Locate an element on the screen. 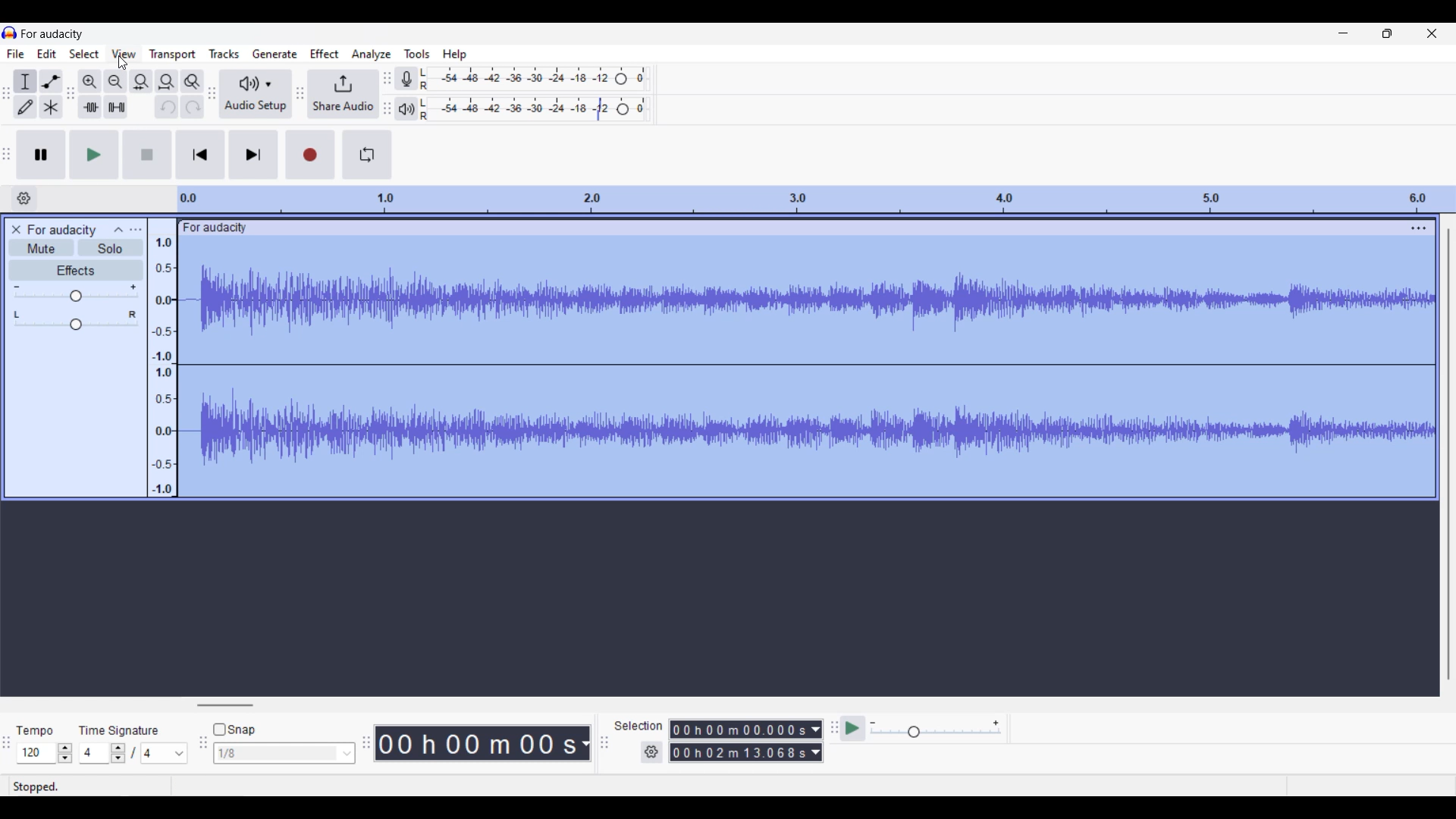  Snap options is located at coordinates (284, 753).